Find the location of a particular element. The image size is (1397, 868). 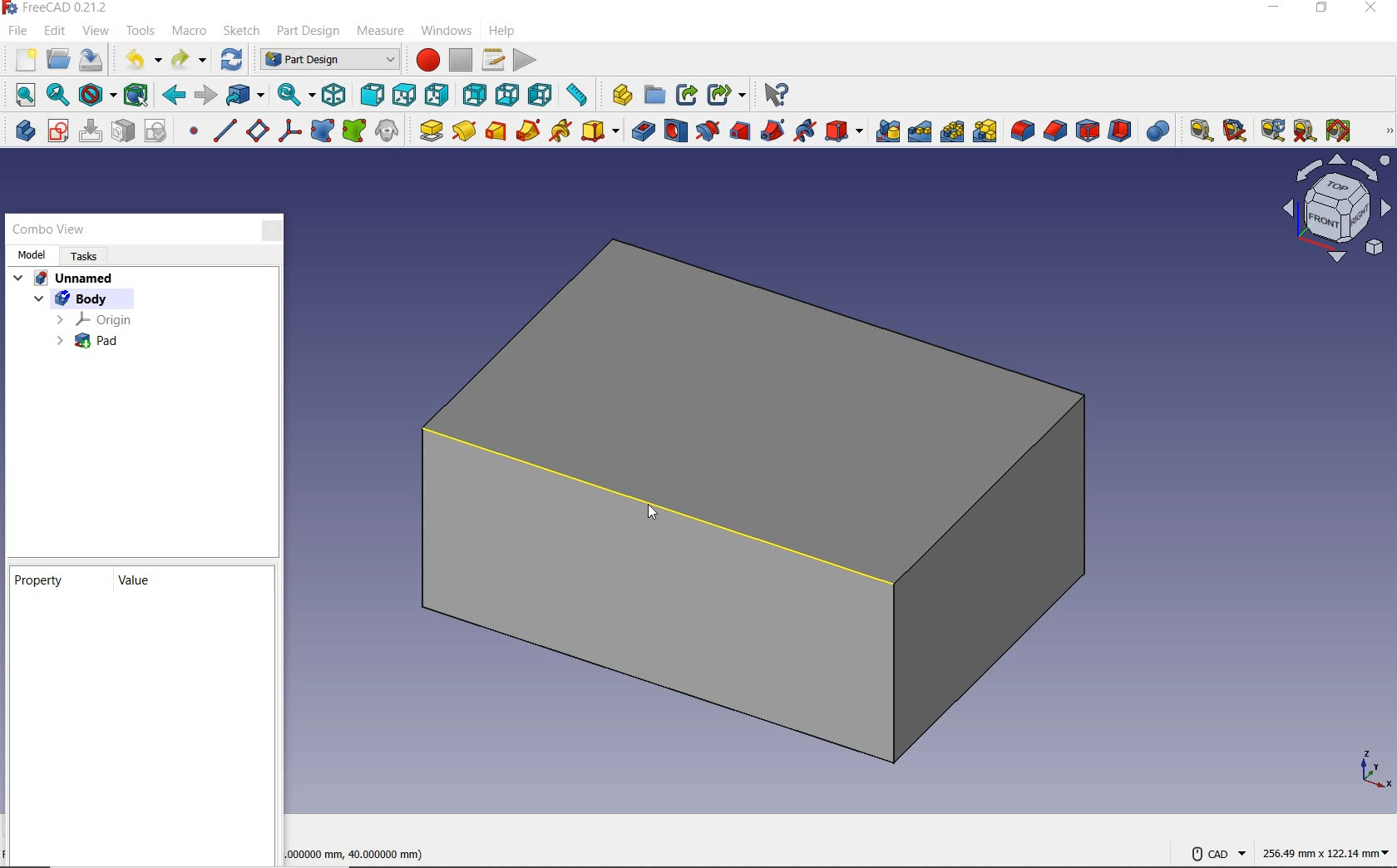

create a datum point is located at coordinates (190, 131).